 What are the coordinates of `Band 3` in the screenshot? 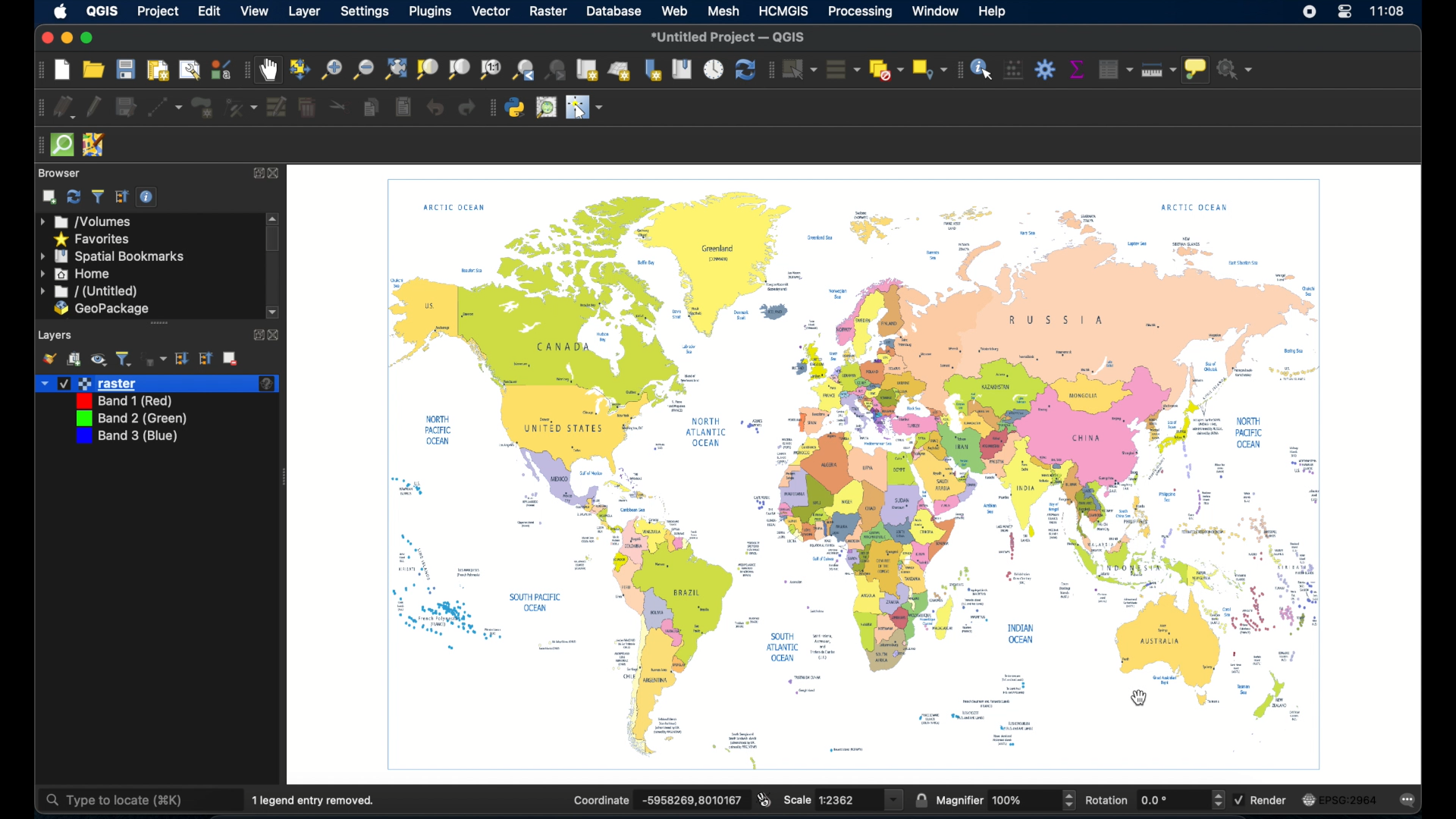 It's located at (127, 438).